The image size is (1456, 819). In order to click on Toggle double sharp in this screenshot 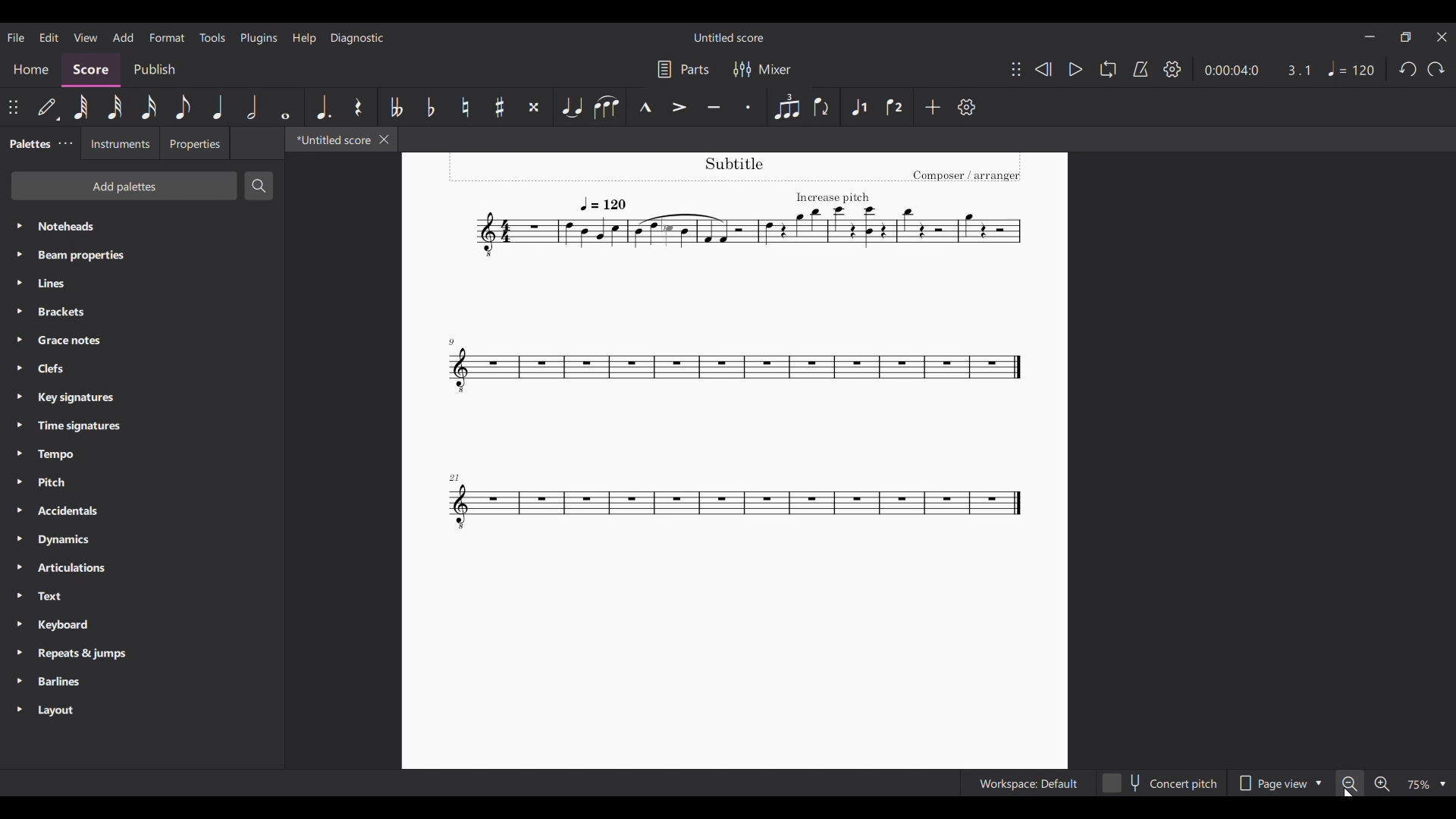, I will do `click(534, 107)`.